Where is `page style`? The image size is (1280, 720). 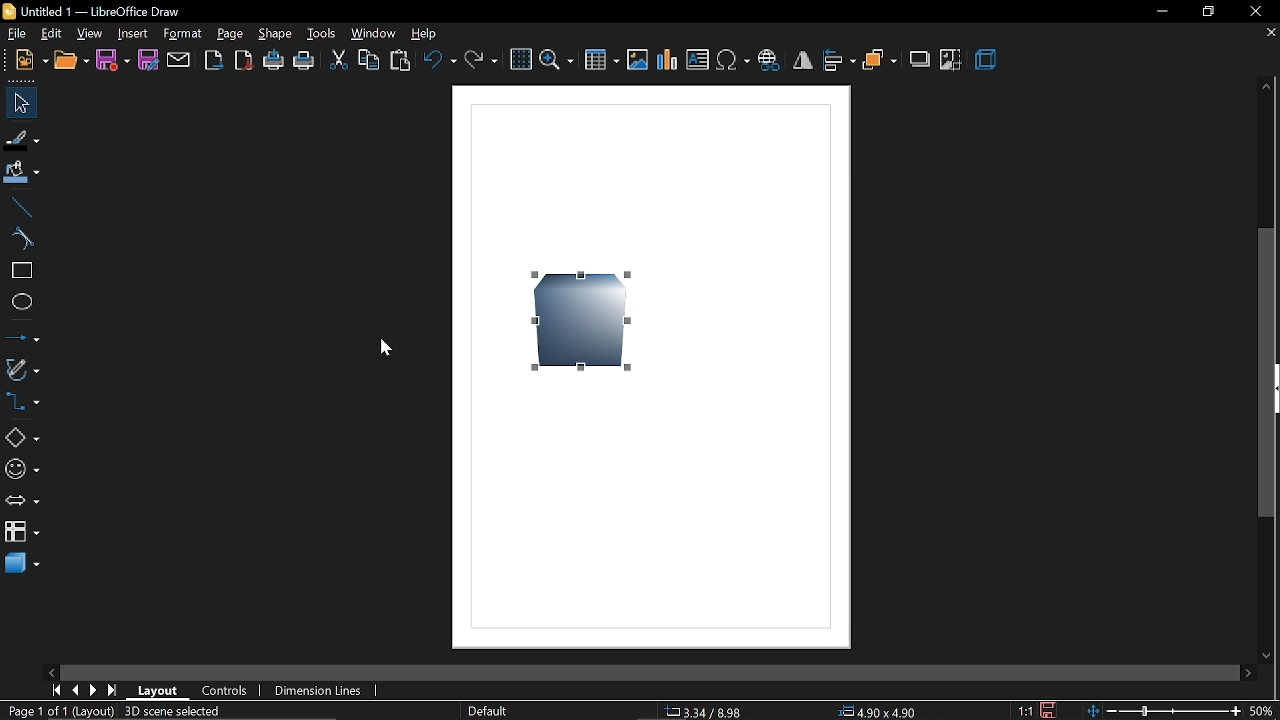 page style is located at coordinates (487, 710).